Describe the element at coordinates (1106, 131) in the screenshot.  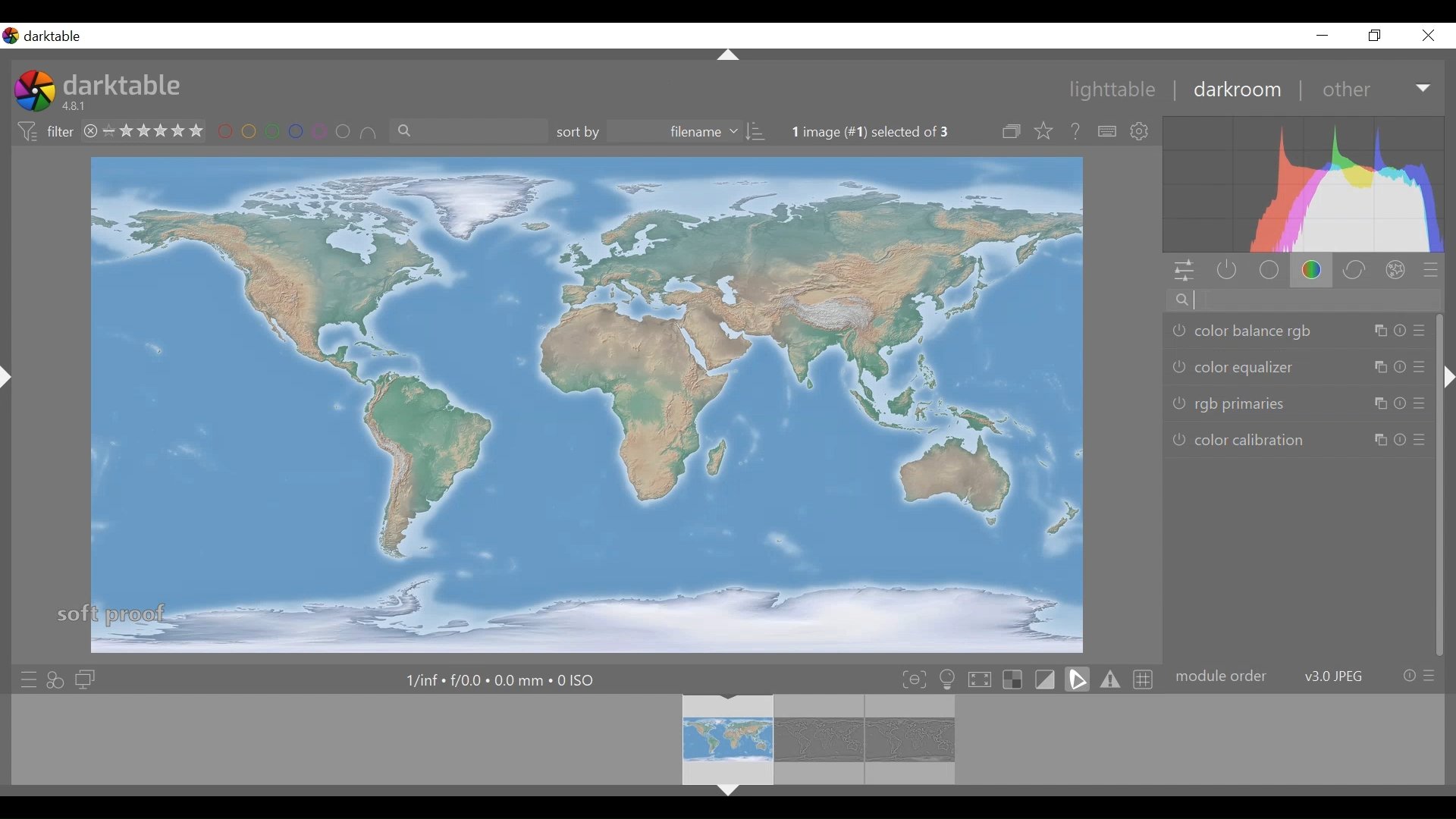
I see `define shortcut` at that location.